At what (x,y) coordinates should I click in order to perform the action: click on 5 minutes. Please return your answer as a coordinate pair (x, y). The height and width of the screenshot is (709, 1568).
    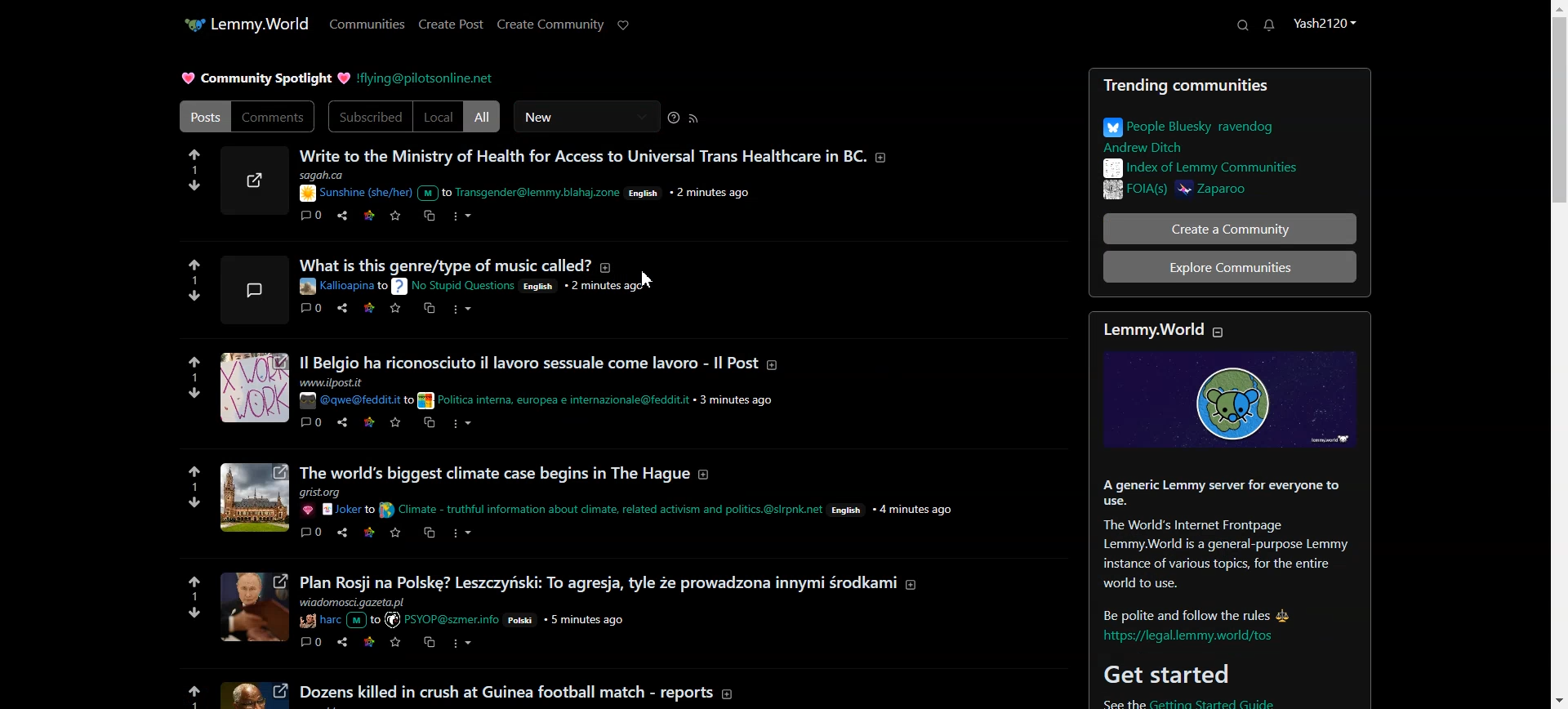
    Looking at the image, I should click on (587, 620).